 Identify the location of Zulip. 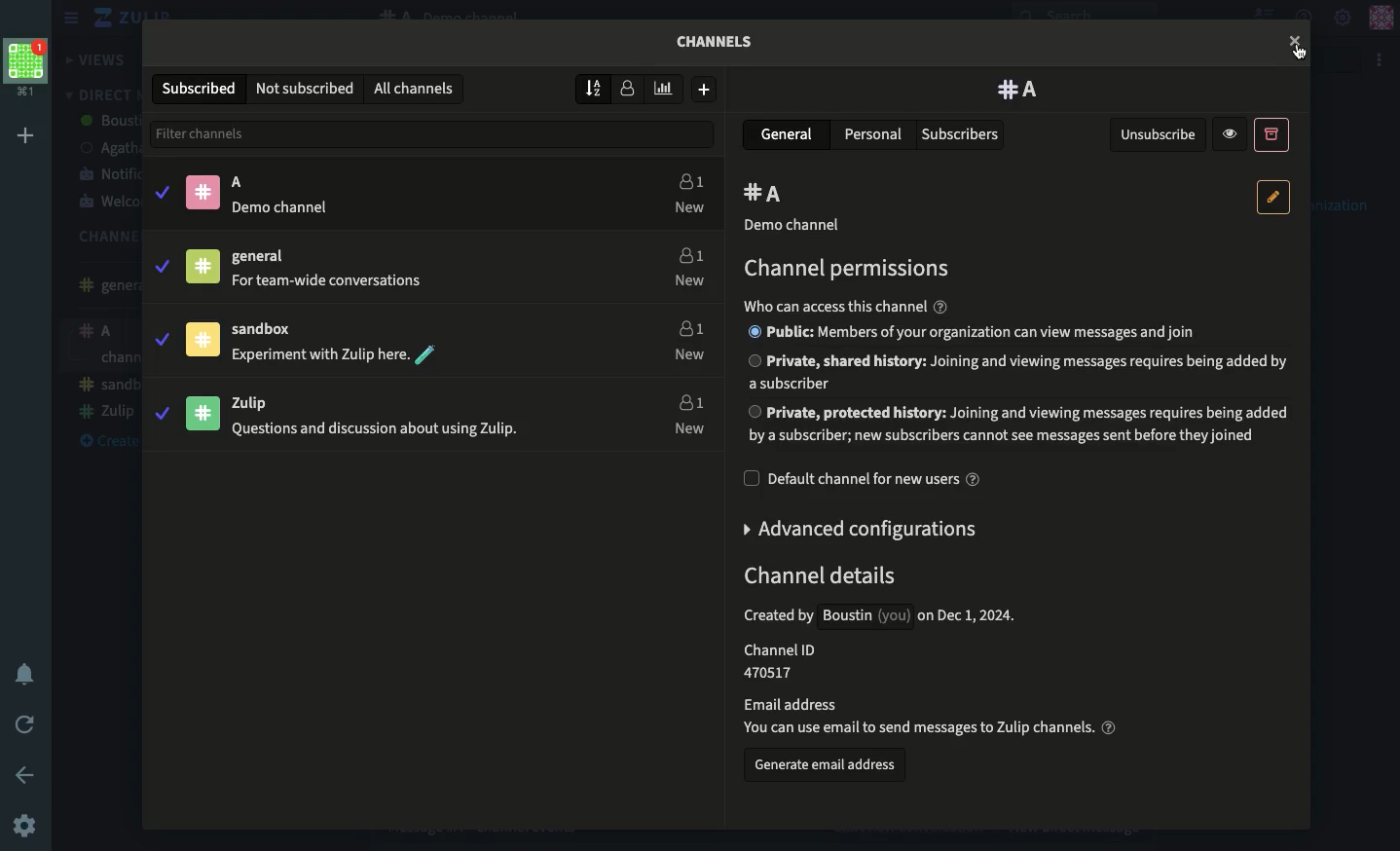
(393, 414).